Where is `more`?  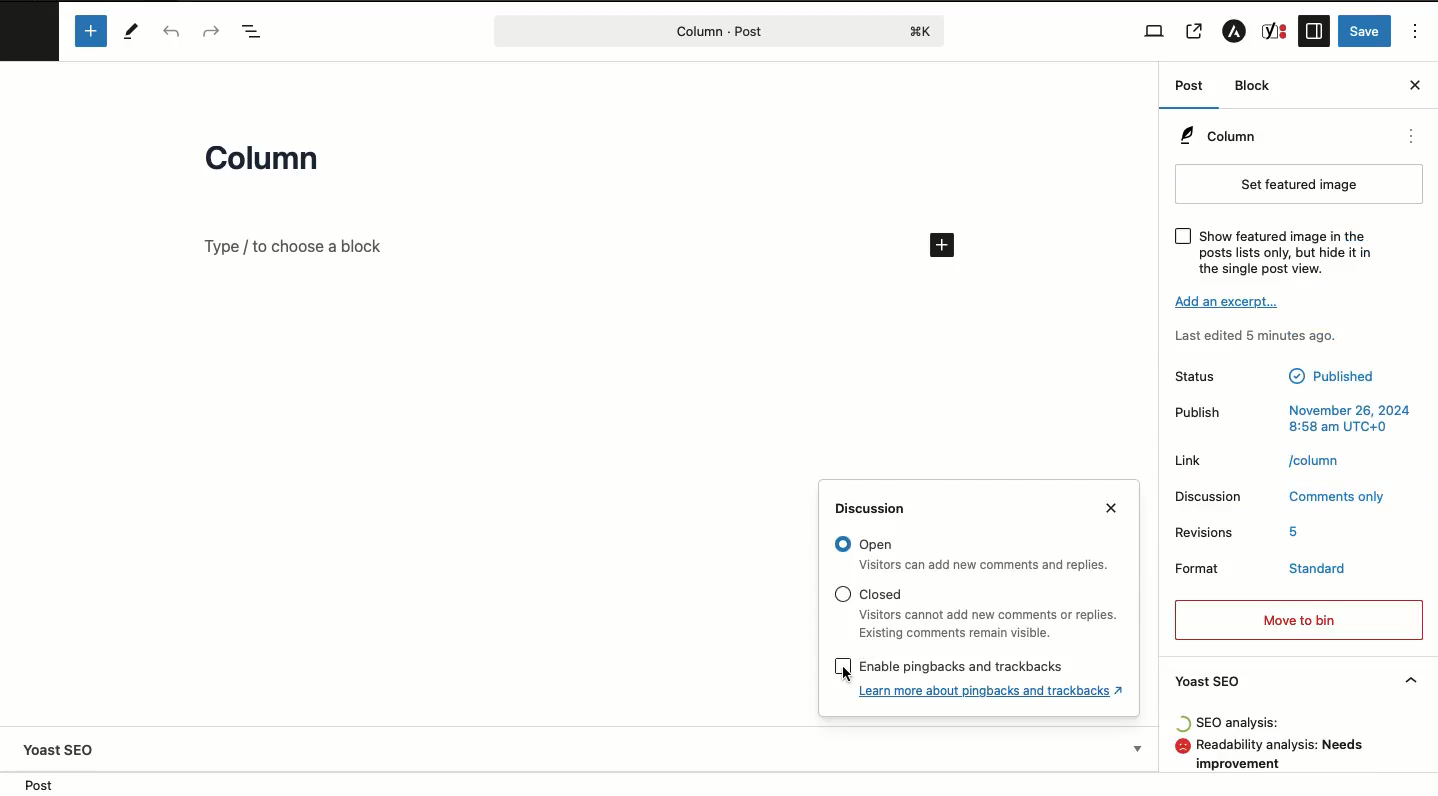 more is located at coordinates (1412, 136).